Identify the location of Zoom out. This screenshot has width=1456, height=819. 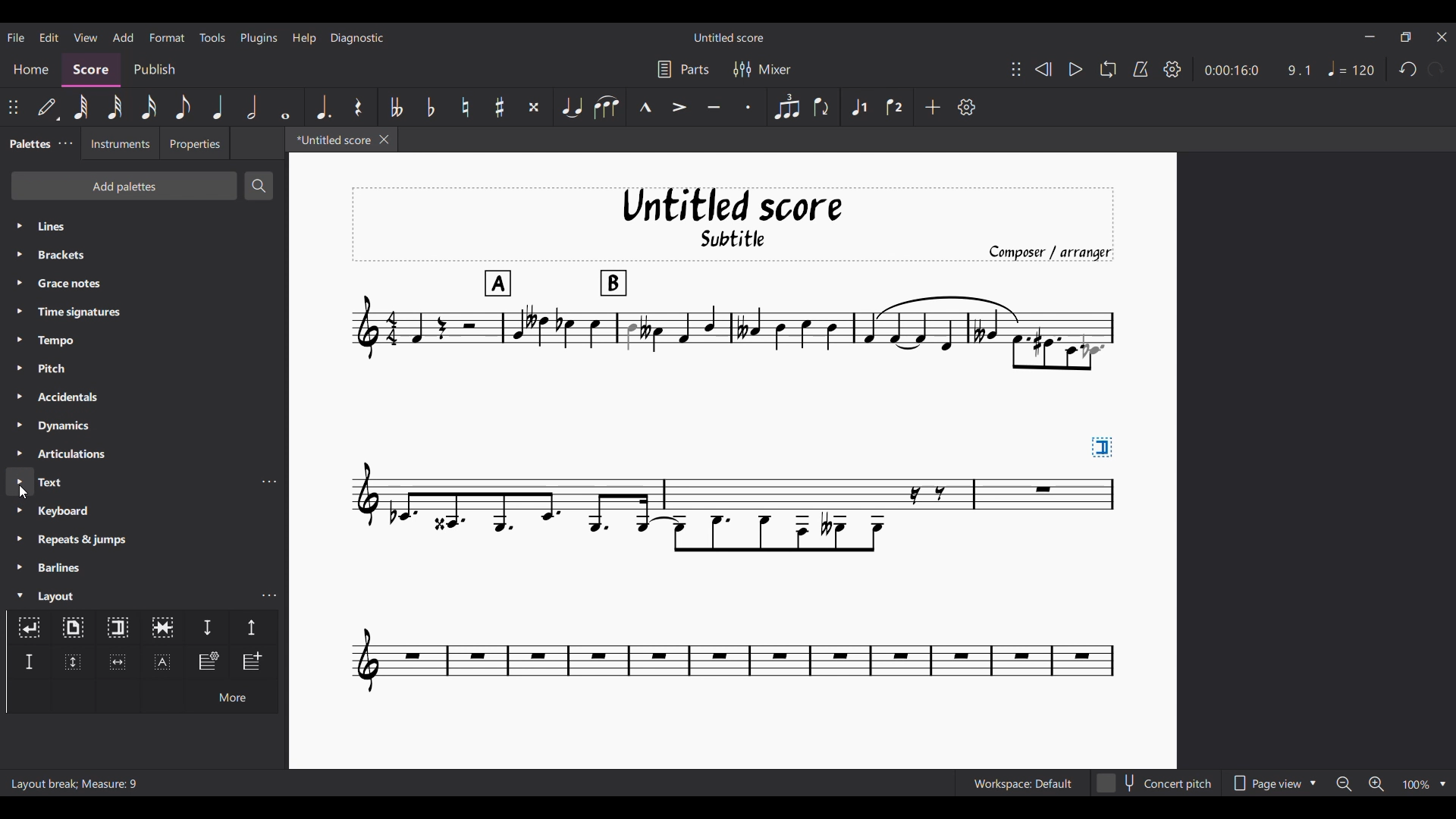
(1345, 783).